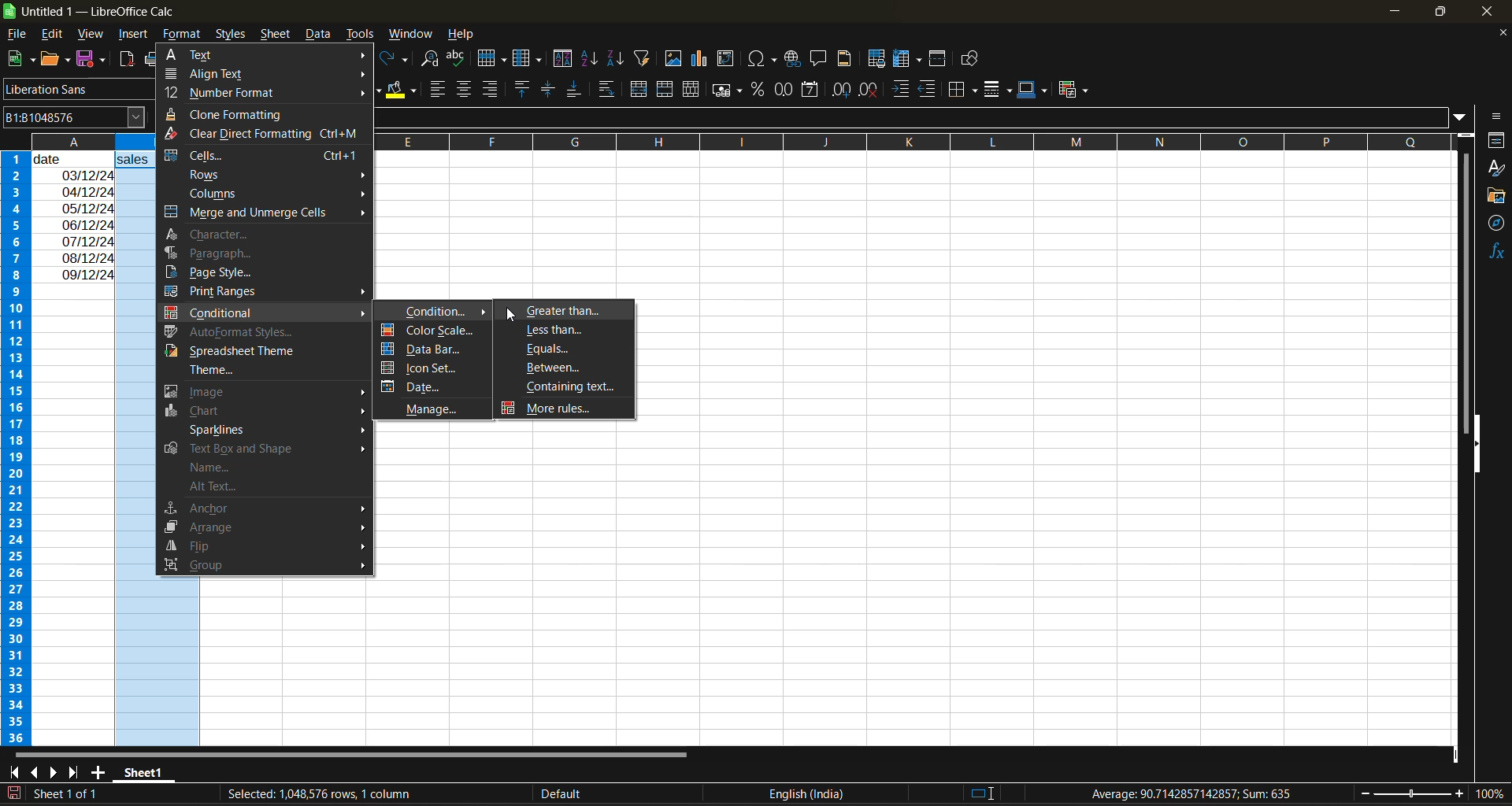  Describe the element at coordinates (229, 113) in the screenshot. I see `clone formatting` at that location.